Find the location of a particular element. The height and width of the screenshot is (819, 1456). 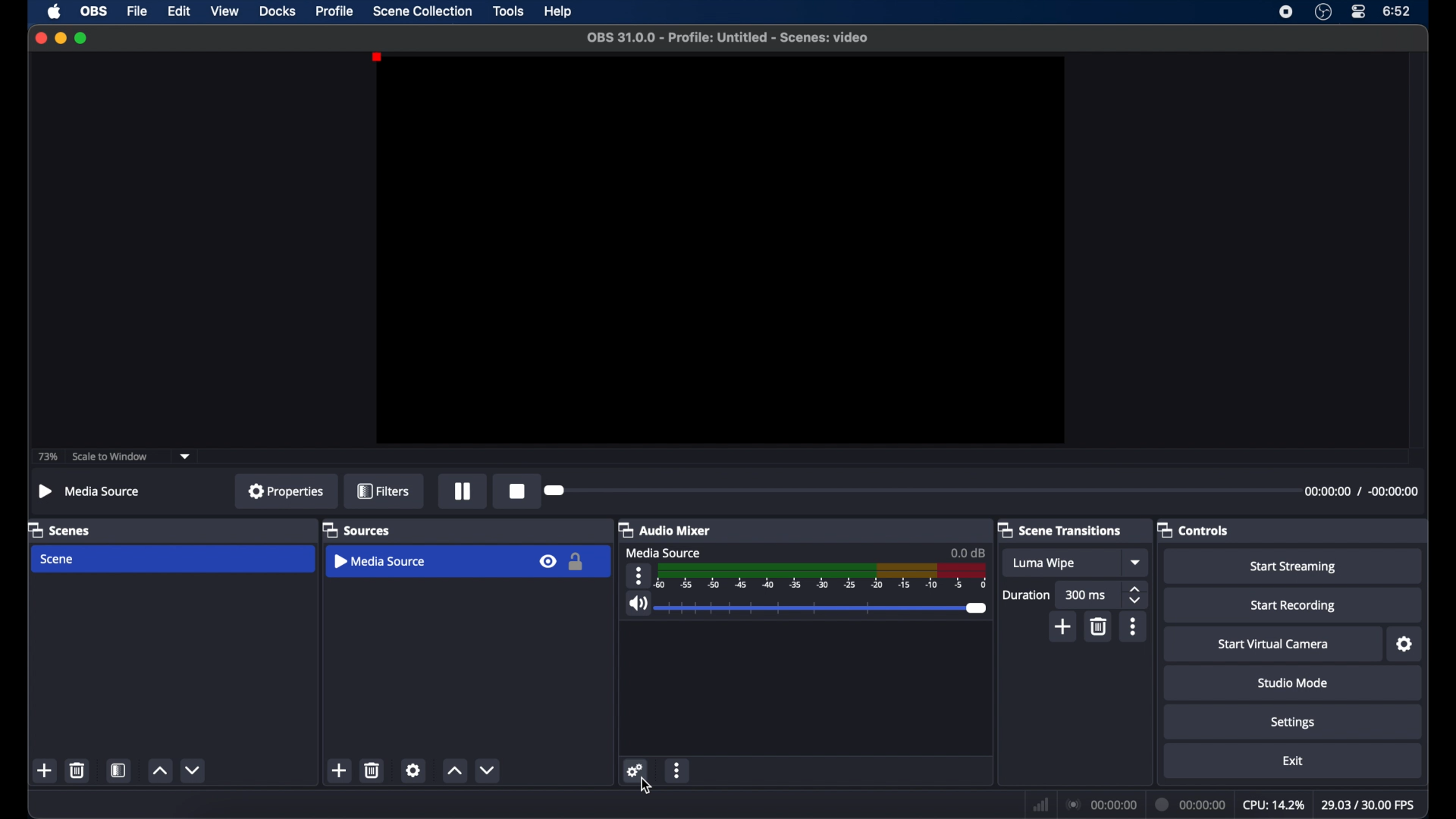

dropdown is located at coordinates (184, 455).